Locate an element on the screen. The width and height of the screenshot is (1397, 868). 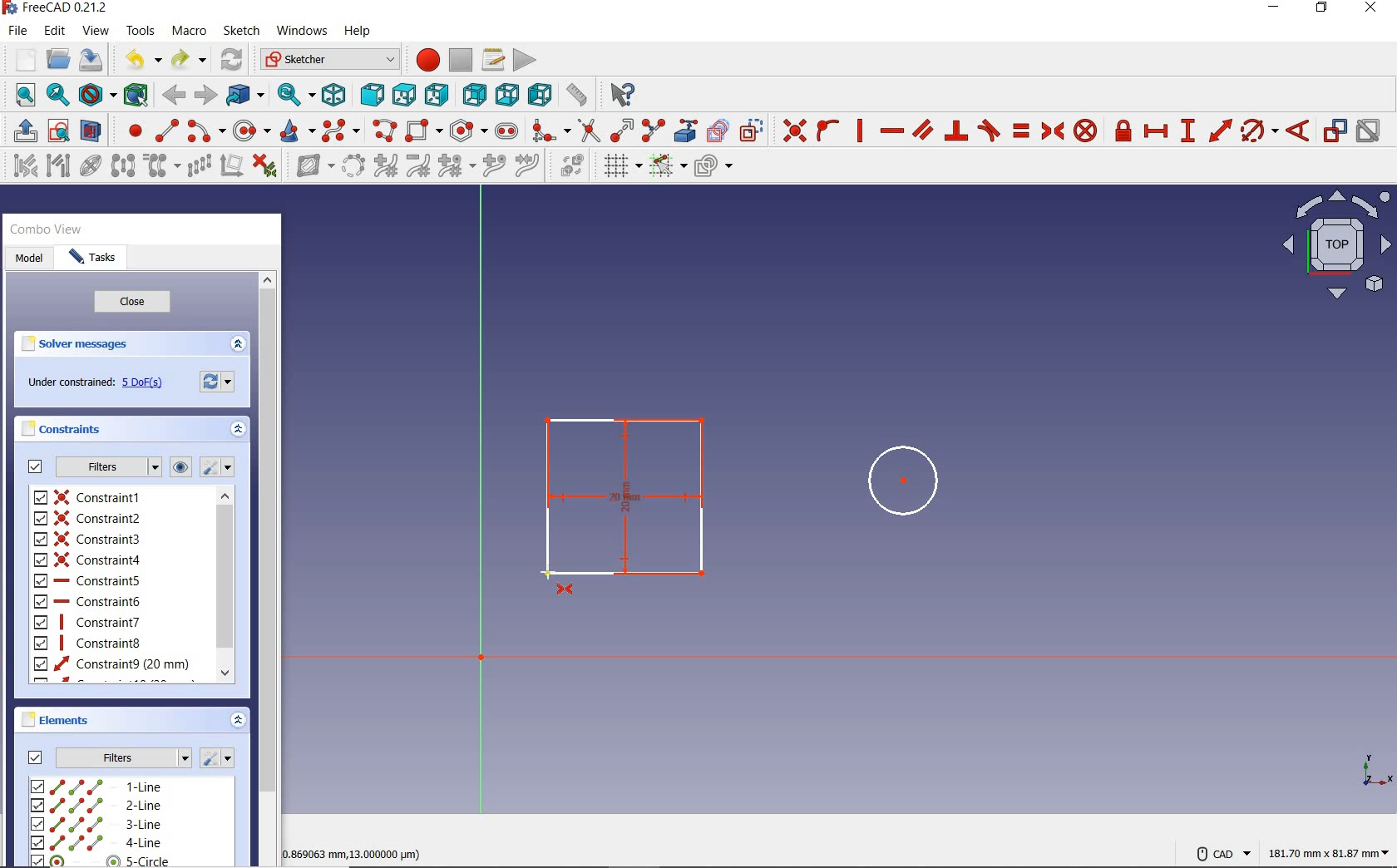
filters is located at coordinates (108, 467).